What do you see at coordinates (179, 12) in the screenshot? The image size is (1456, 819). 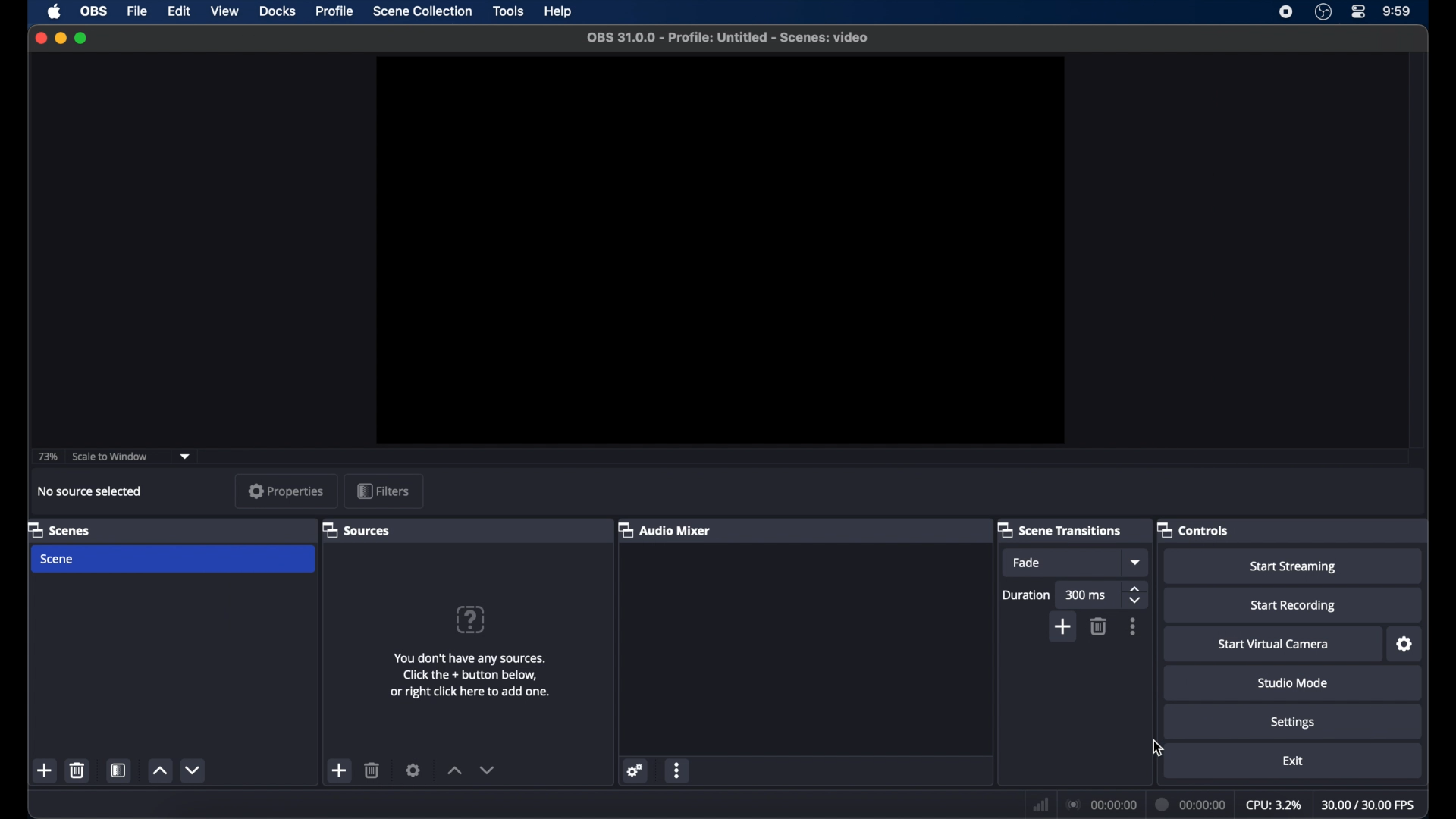 I see `edit` at bounding box center [179, 12].